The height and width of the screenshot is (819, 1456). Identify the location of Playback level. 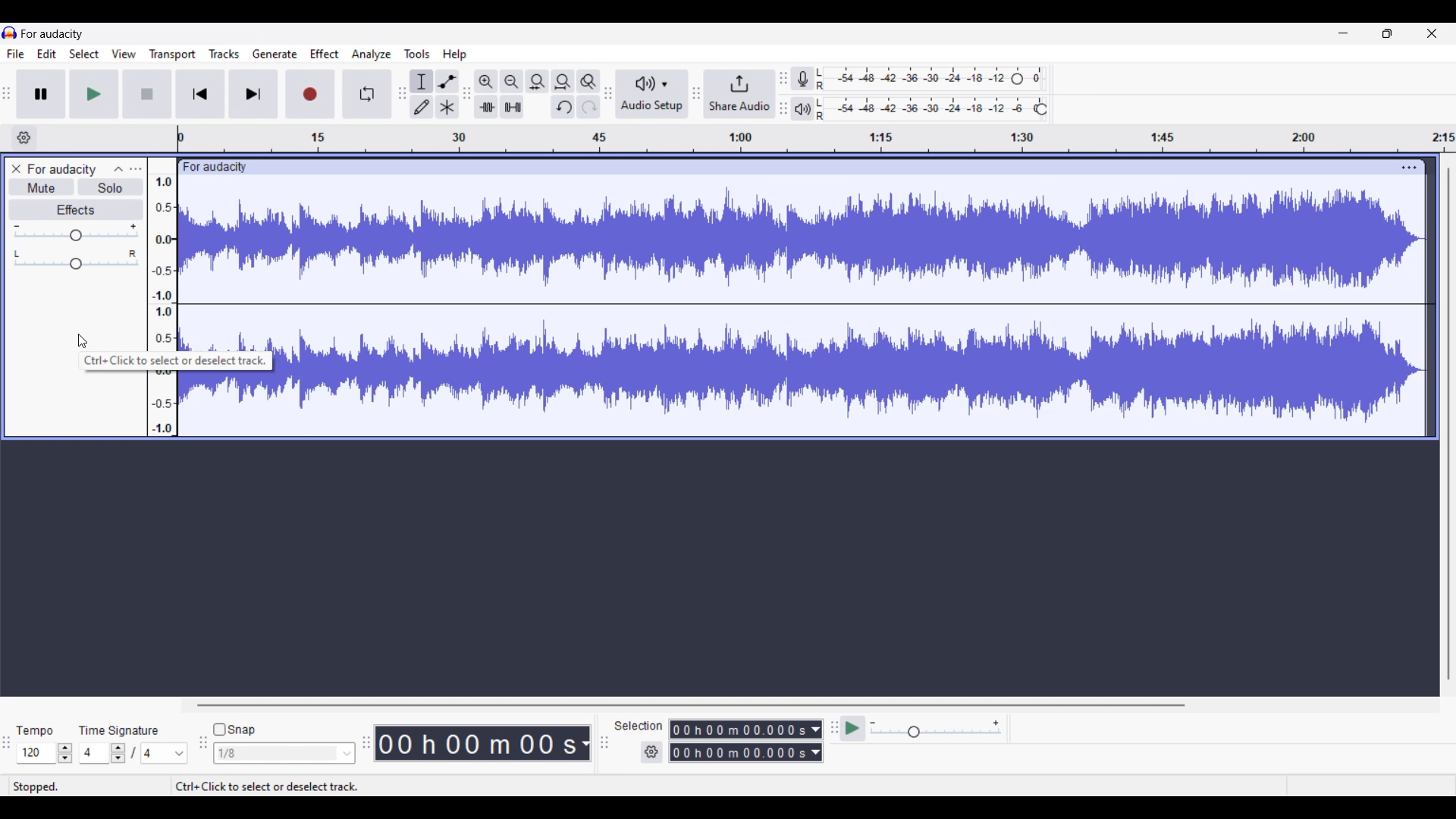
(930, 108).